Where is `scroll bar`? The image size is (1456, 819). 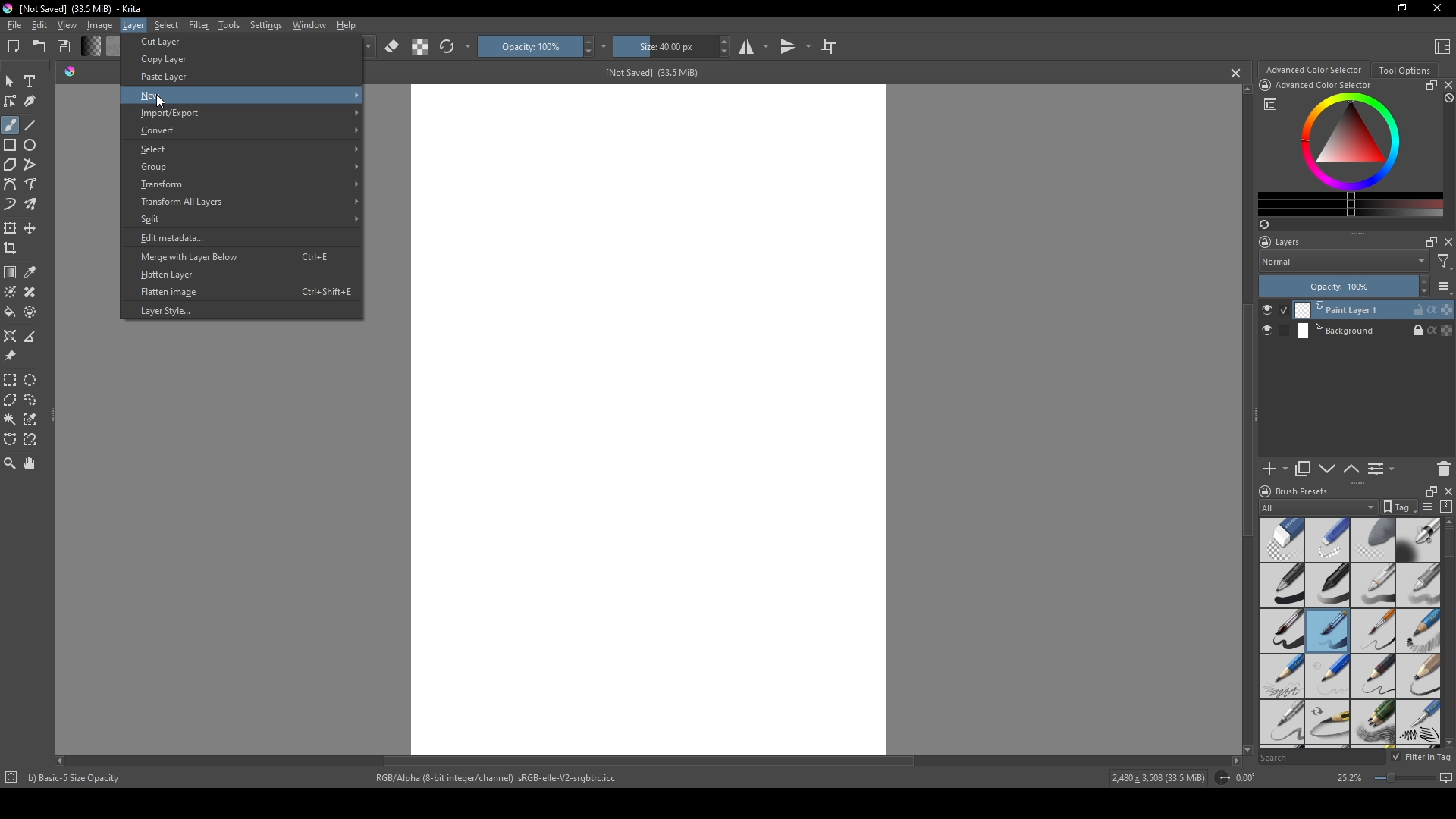
scroll bar is located at coordinates (1447, 544).